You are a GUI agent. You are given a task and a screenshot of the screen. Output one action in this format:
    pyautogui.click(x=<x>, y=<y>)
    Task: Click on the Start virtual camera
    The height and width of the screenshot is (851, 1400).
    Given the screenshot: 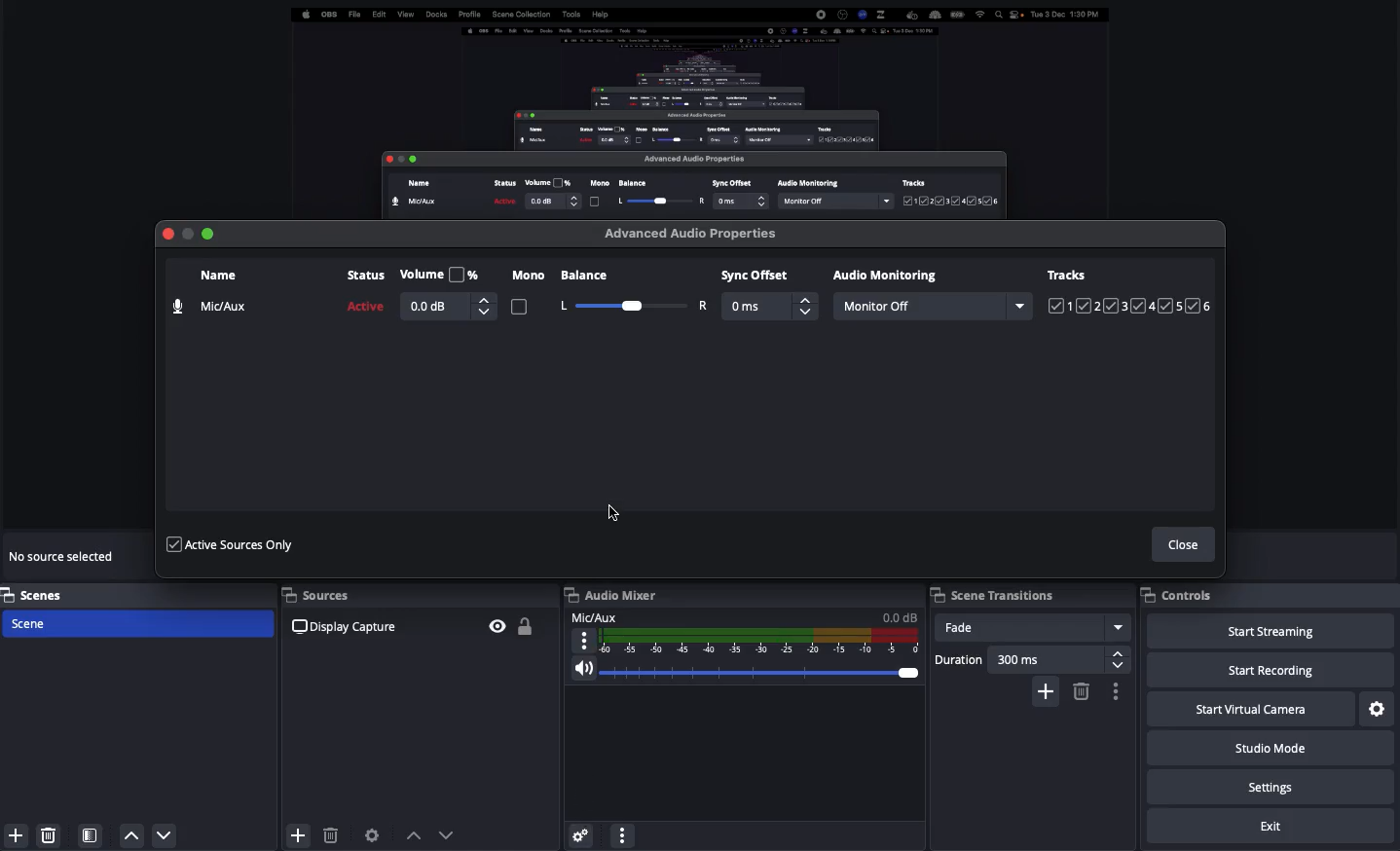 What is the action you would take?
    pyautogui.click(x=1253, y=708)
    